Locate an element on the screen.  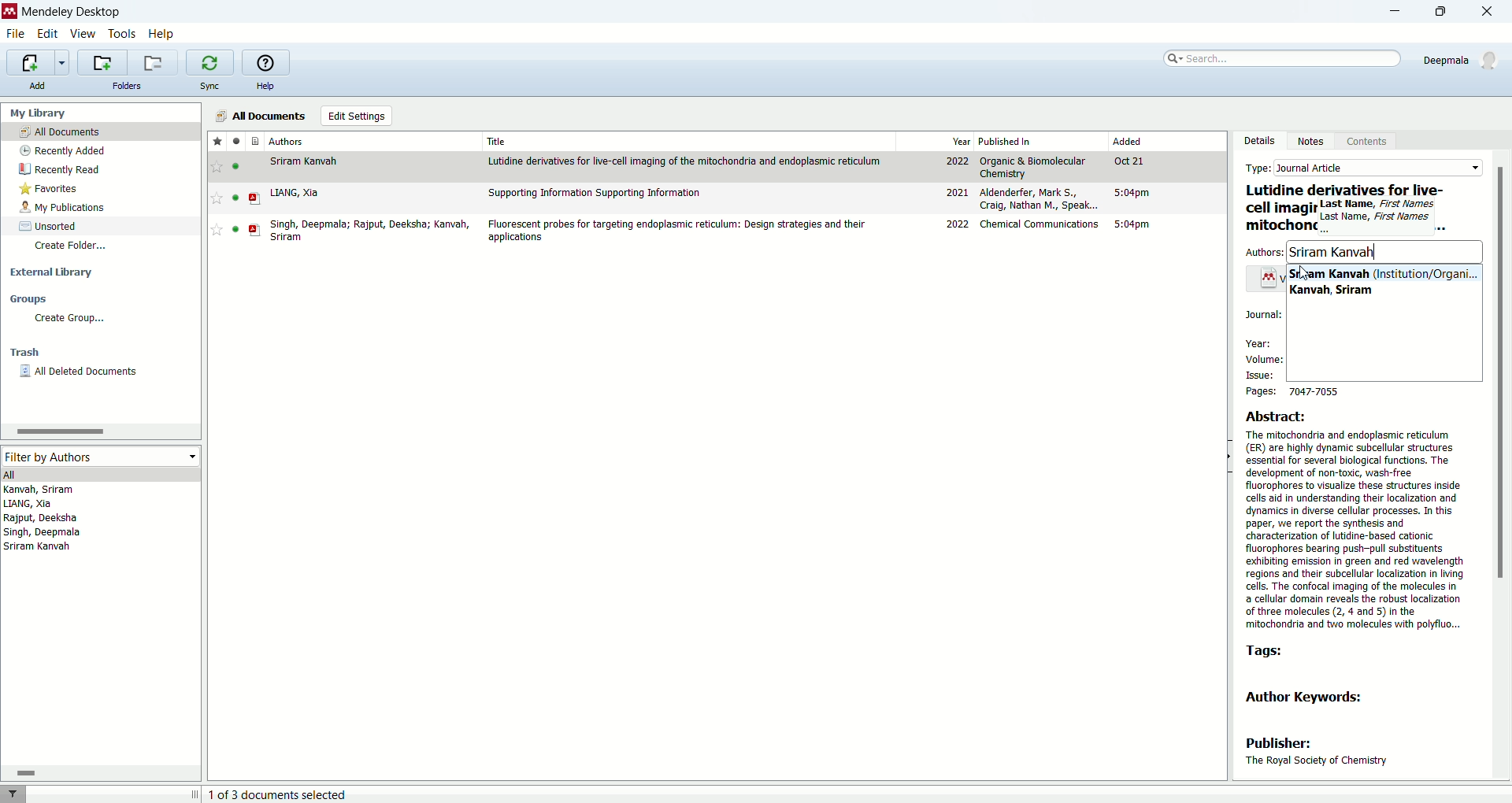
close is located at coordinates (1492, 11).